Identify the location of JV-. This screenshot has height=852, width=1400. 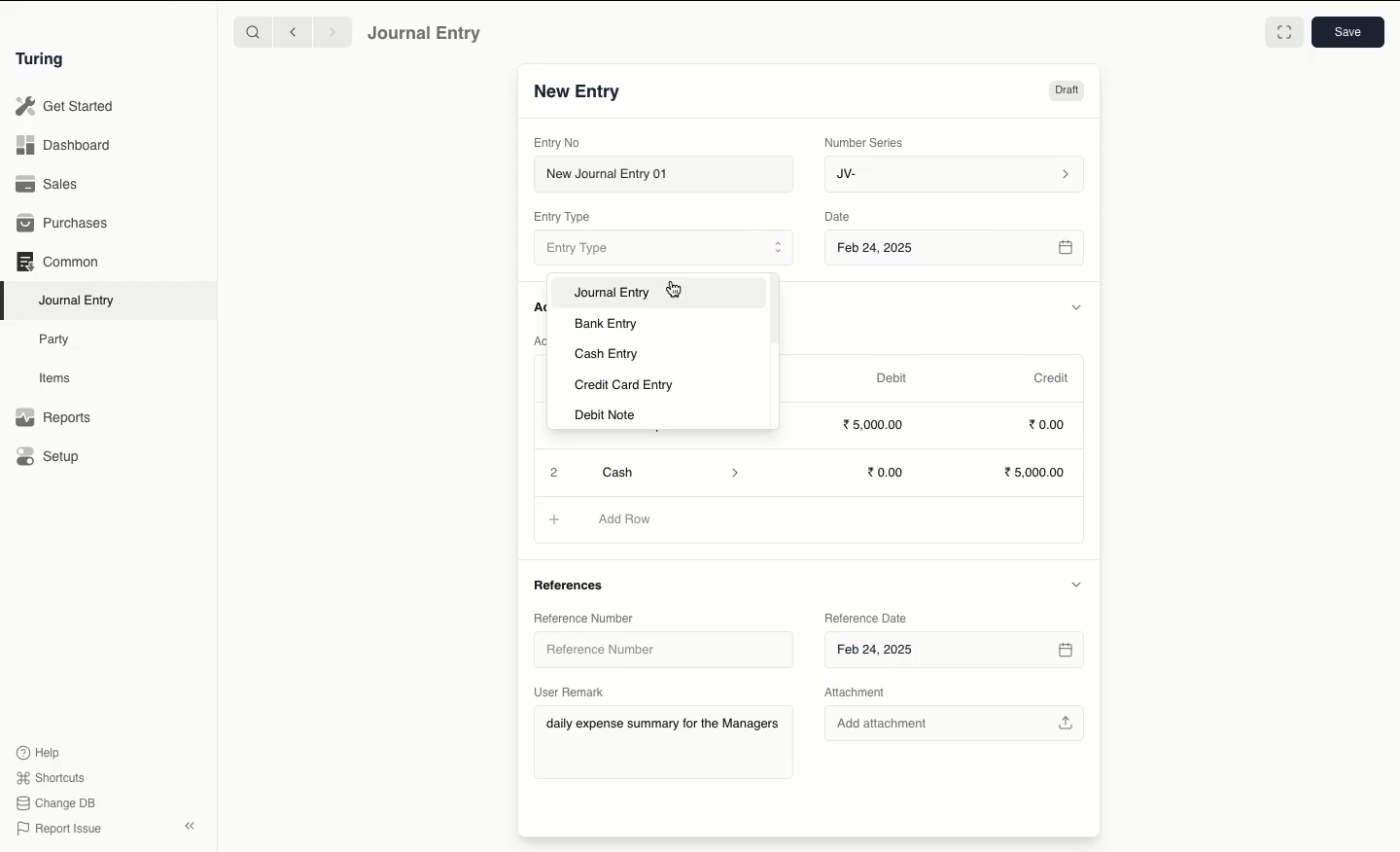
(956, 175).